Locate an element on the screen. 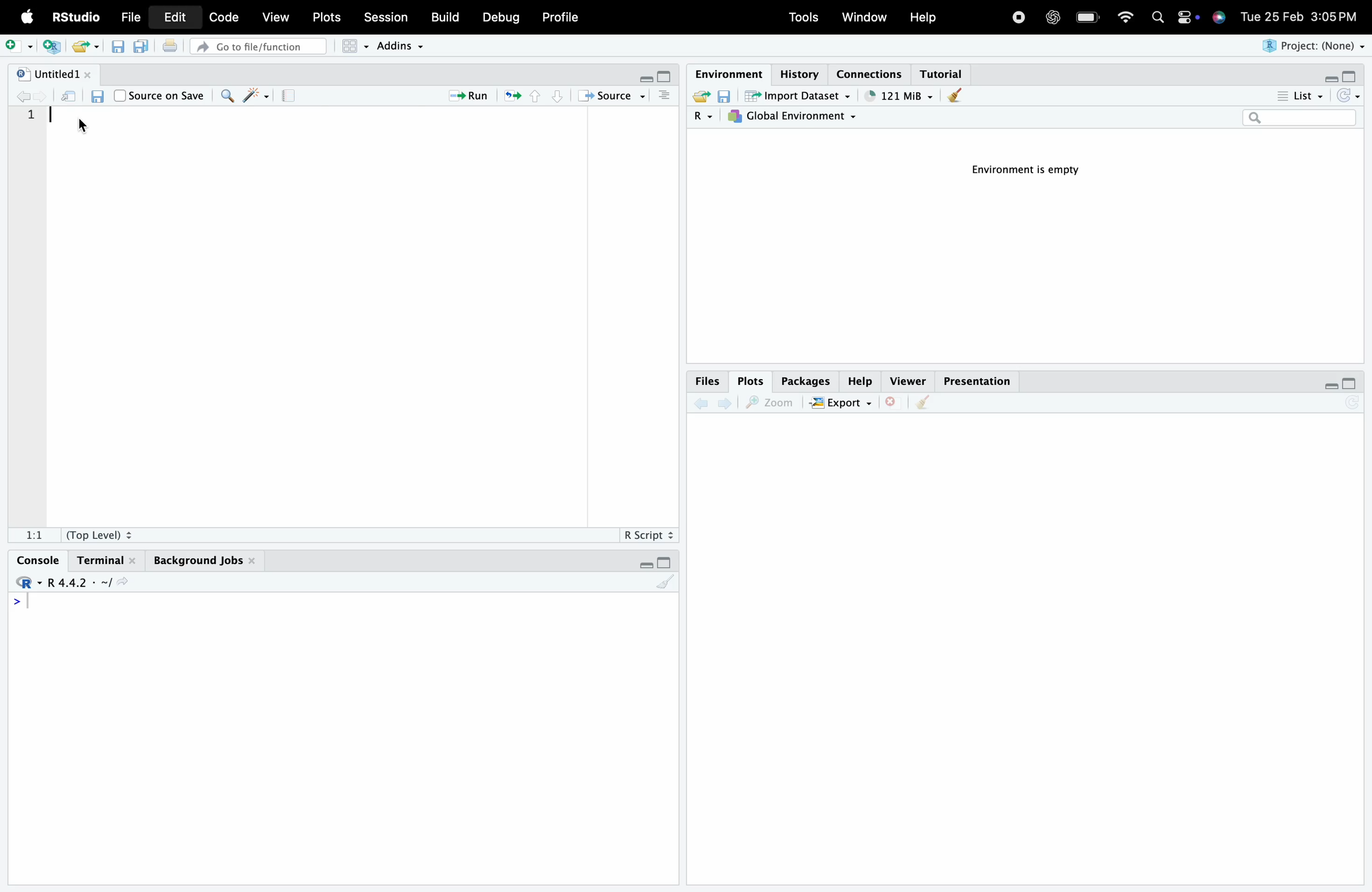 The height and width of the screenshot is (892, 1372). 1 is located at coordinates (31, 119).